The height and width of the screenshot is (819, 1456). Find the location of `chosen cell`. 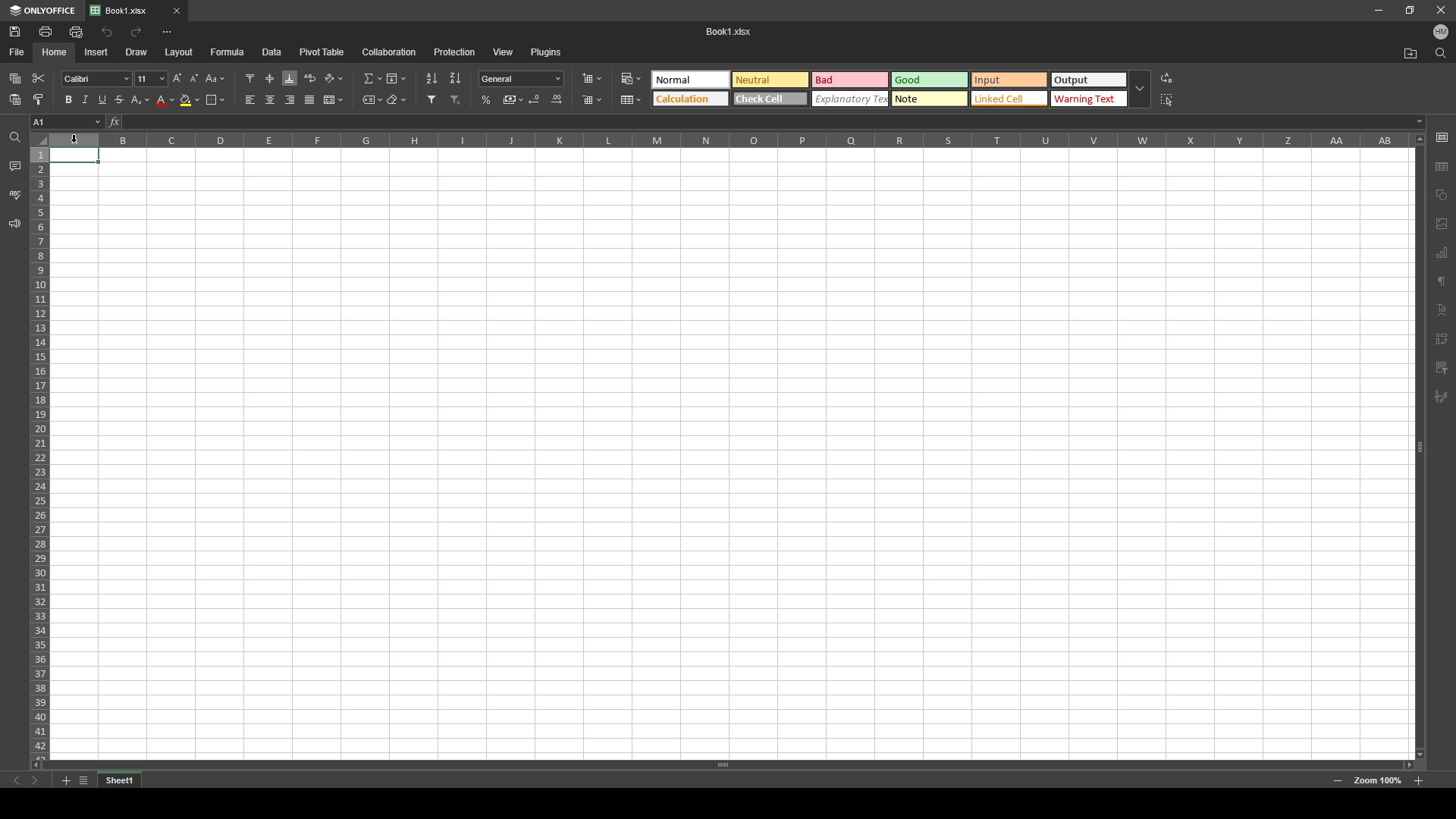

chosen cell is located at coordinates (66, 121).